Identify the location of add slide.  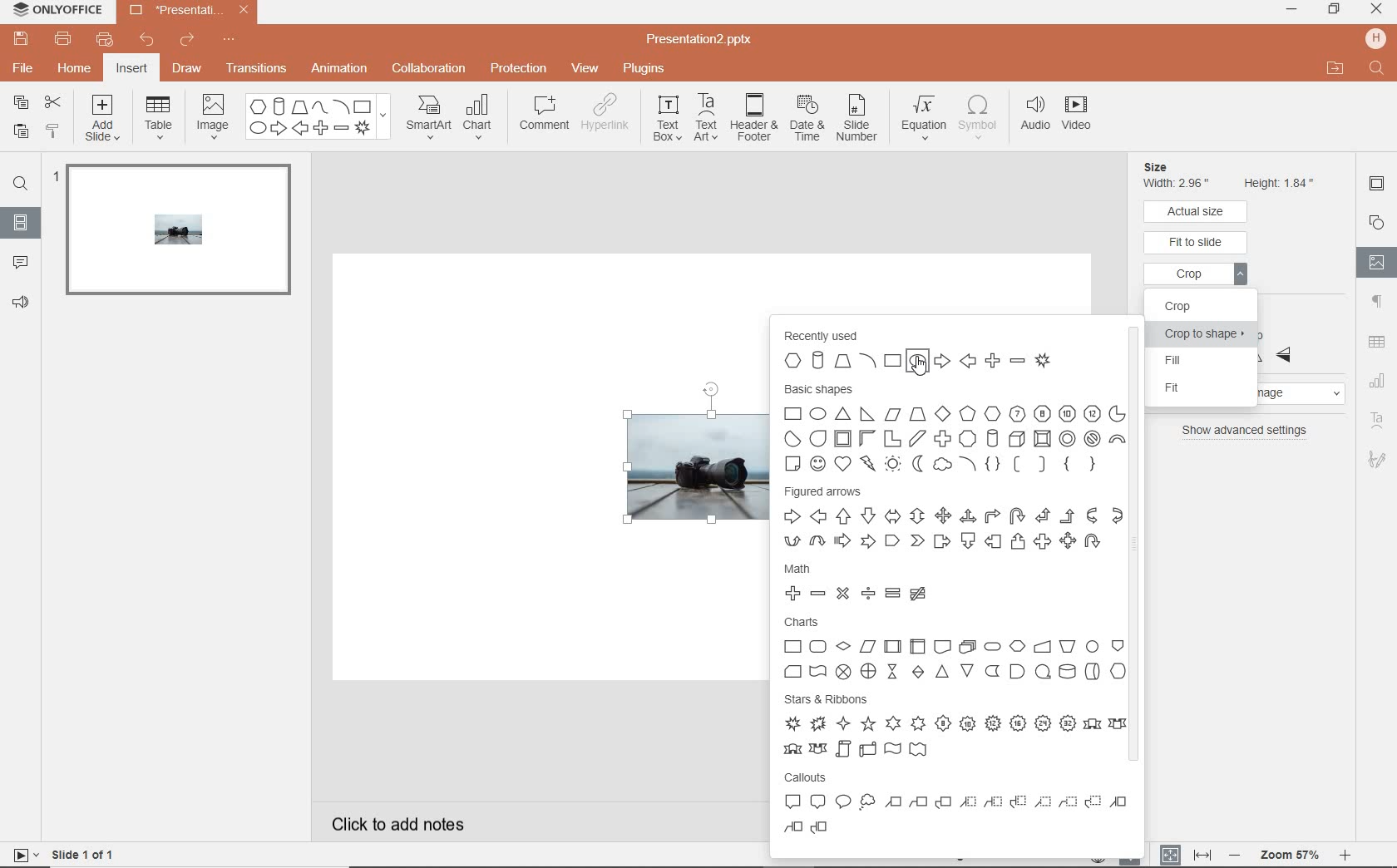
(104, 118).